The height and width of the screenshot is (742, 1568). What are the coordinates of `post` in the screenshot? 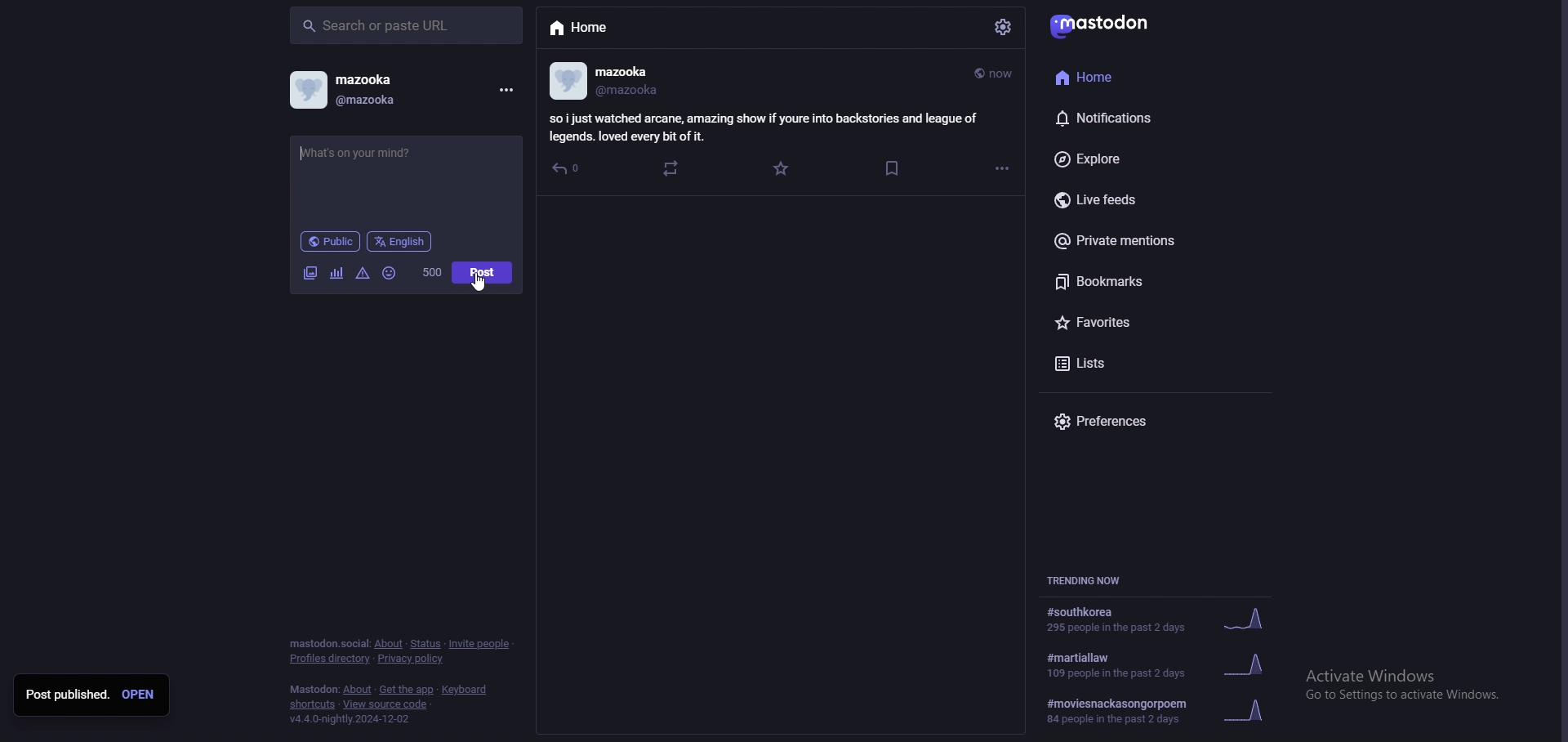 It's located at (766, 129).